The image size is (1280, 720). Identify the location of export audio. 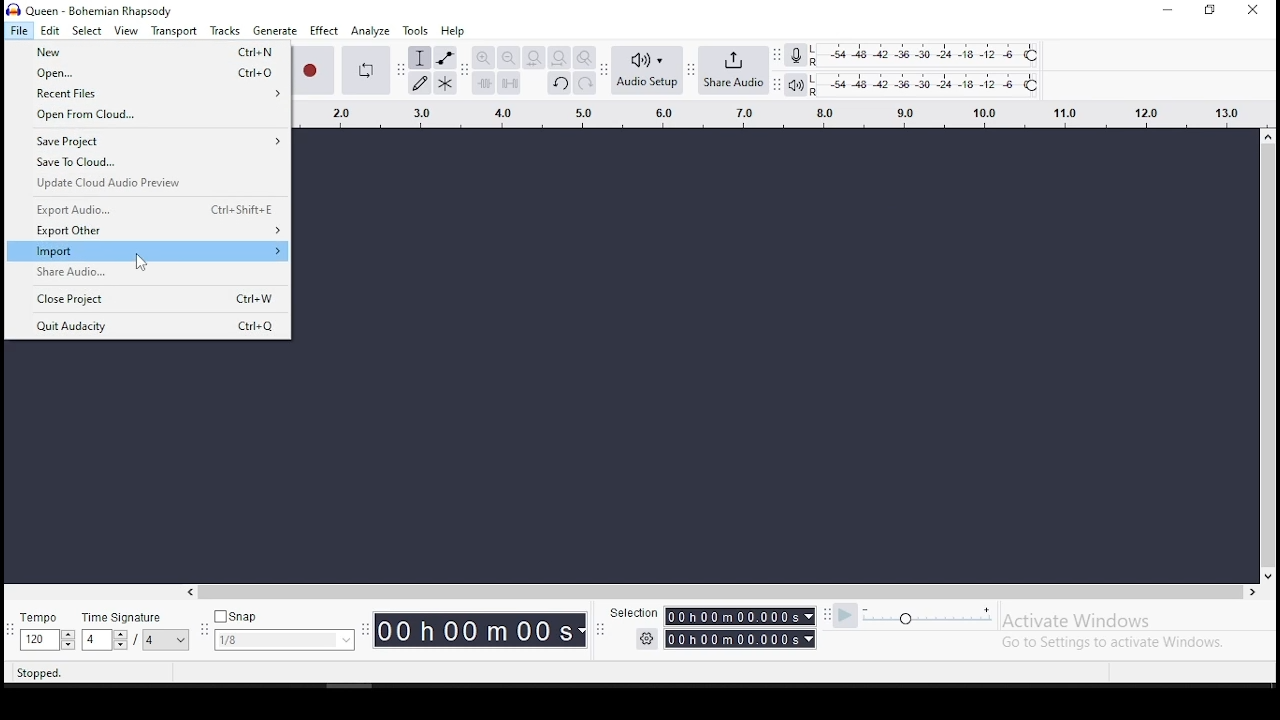
(148, 209).